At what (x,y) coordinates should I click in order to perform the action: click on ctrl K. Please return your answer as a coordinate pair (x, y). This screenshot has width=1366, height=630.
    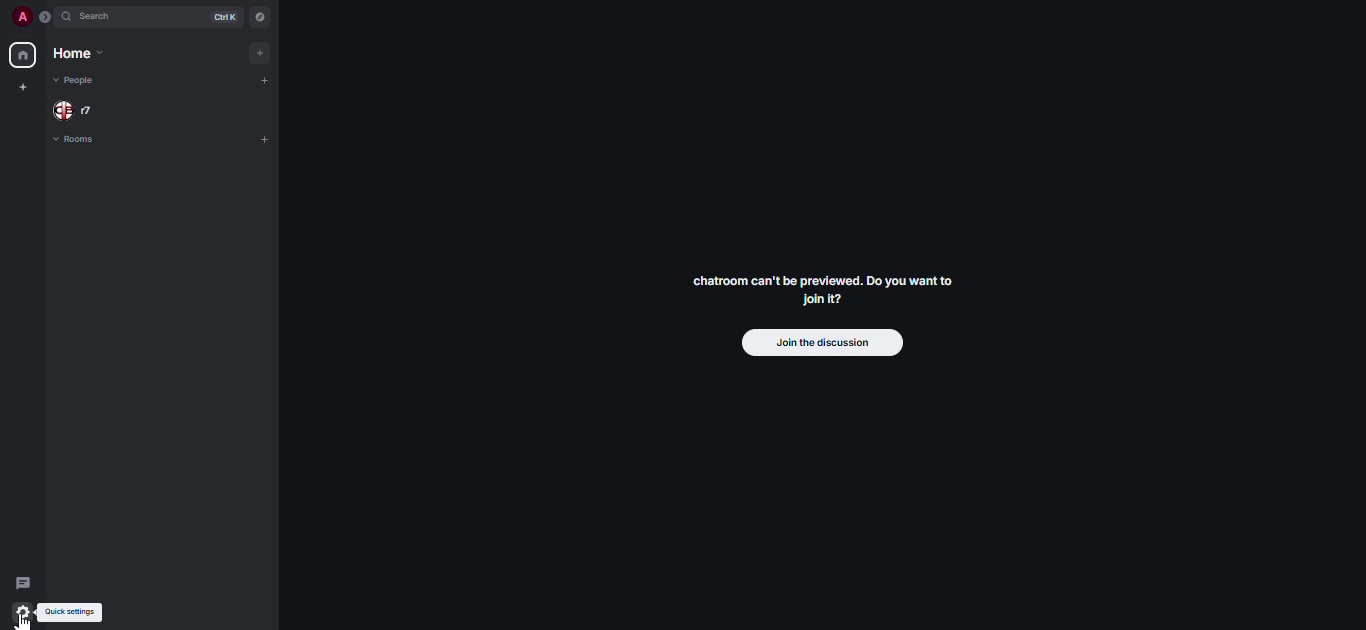
    Looking at the image, I should click on (224, 15).